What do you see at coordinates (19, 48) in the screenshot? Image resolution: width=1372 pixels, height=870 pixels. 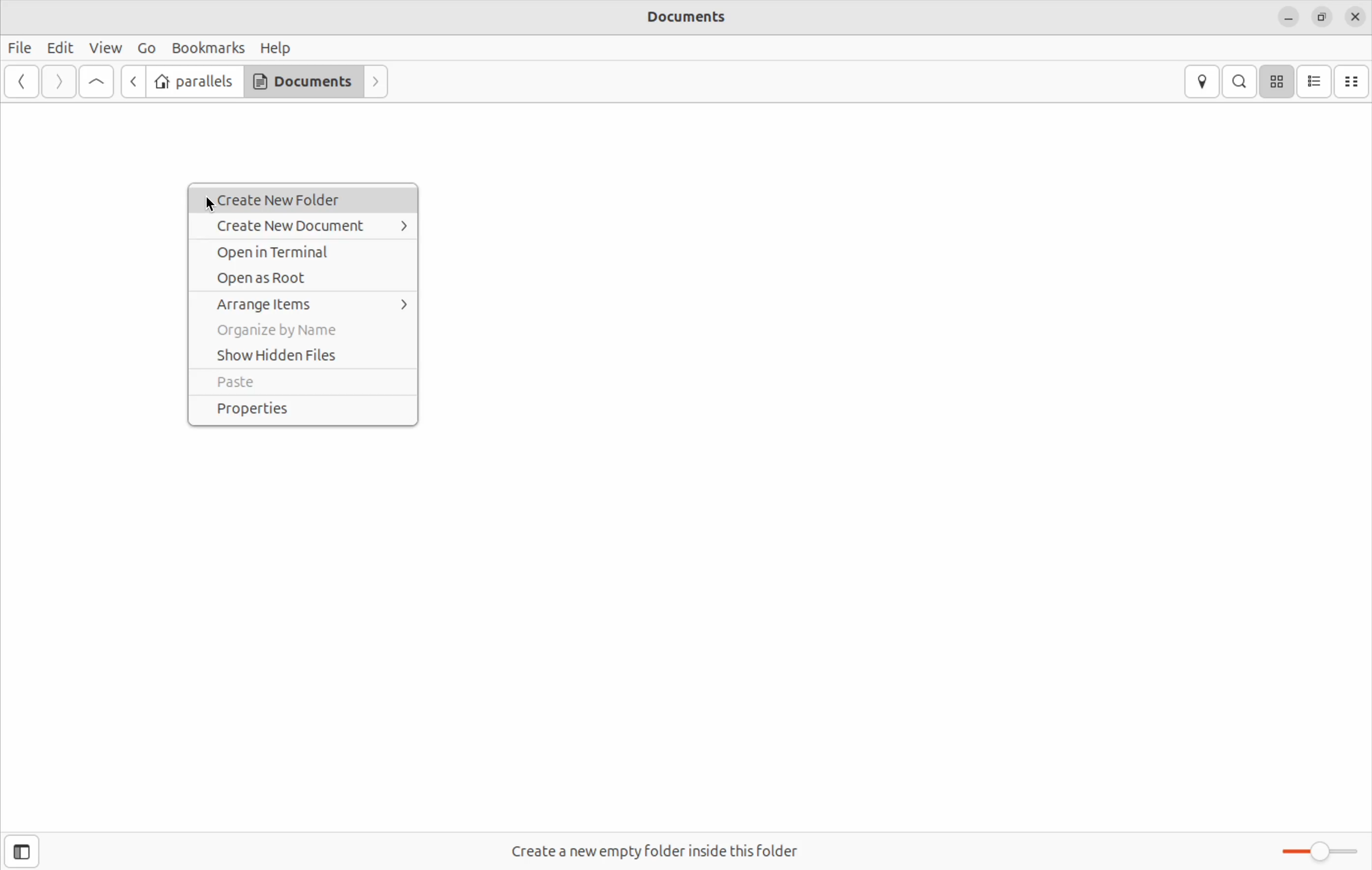 I see `File` at bounding box center [19, 48].